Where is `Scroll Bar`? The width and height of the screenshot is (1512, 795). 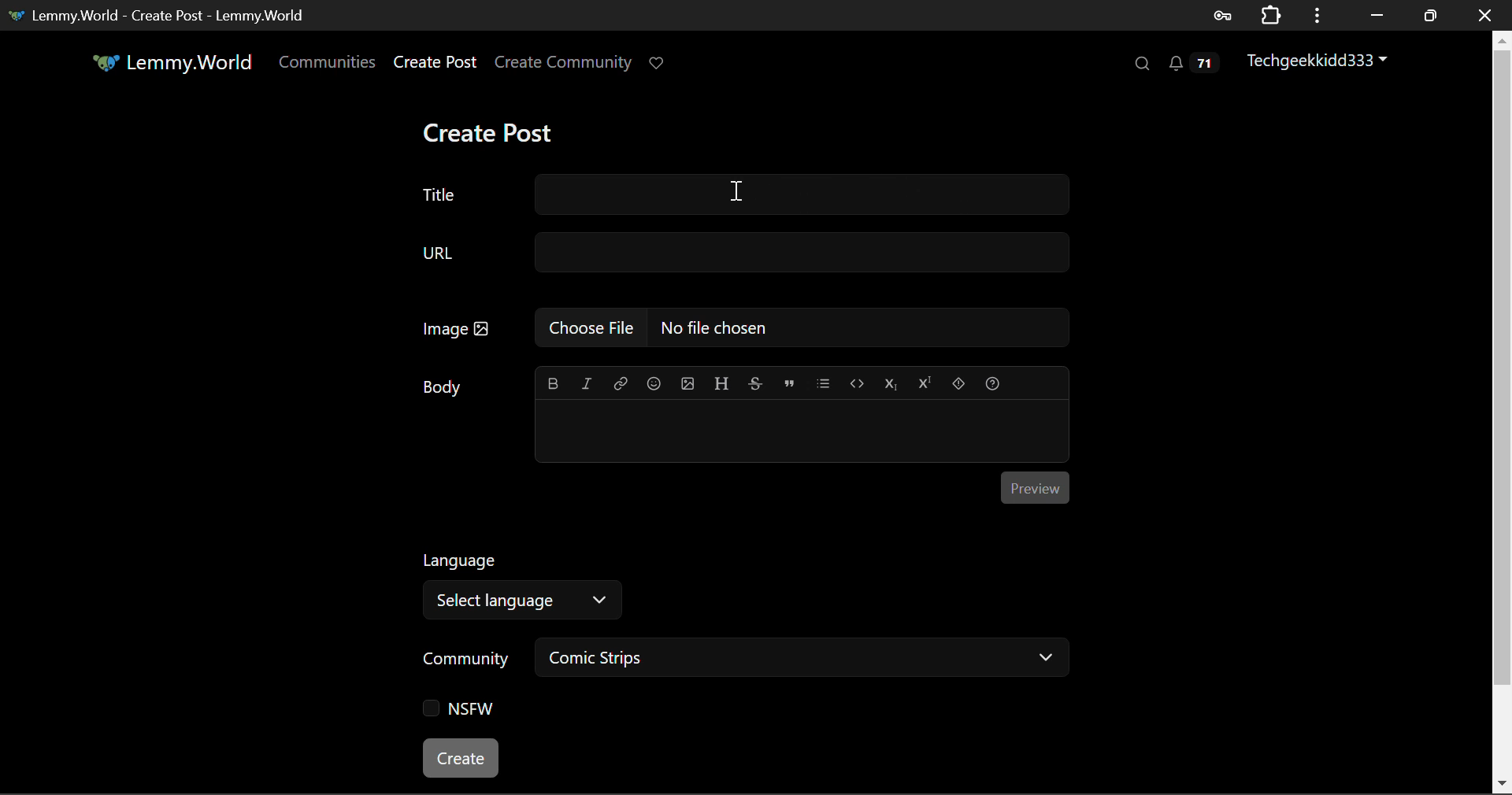
Scroll Bar is located at coordinates (1503, 411).